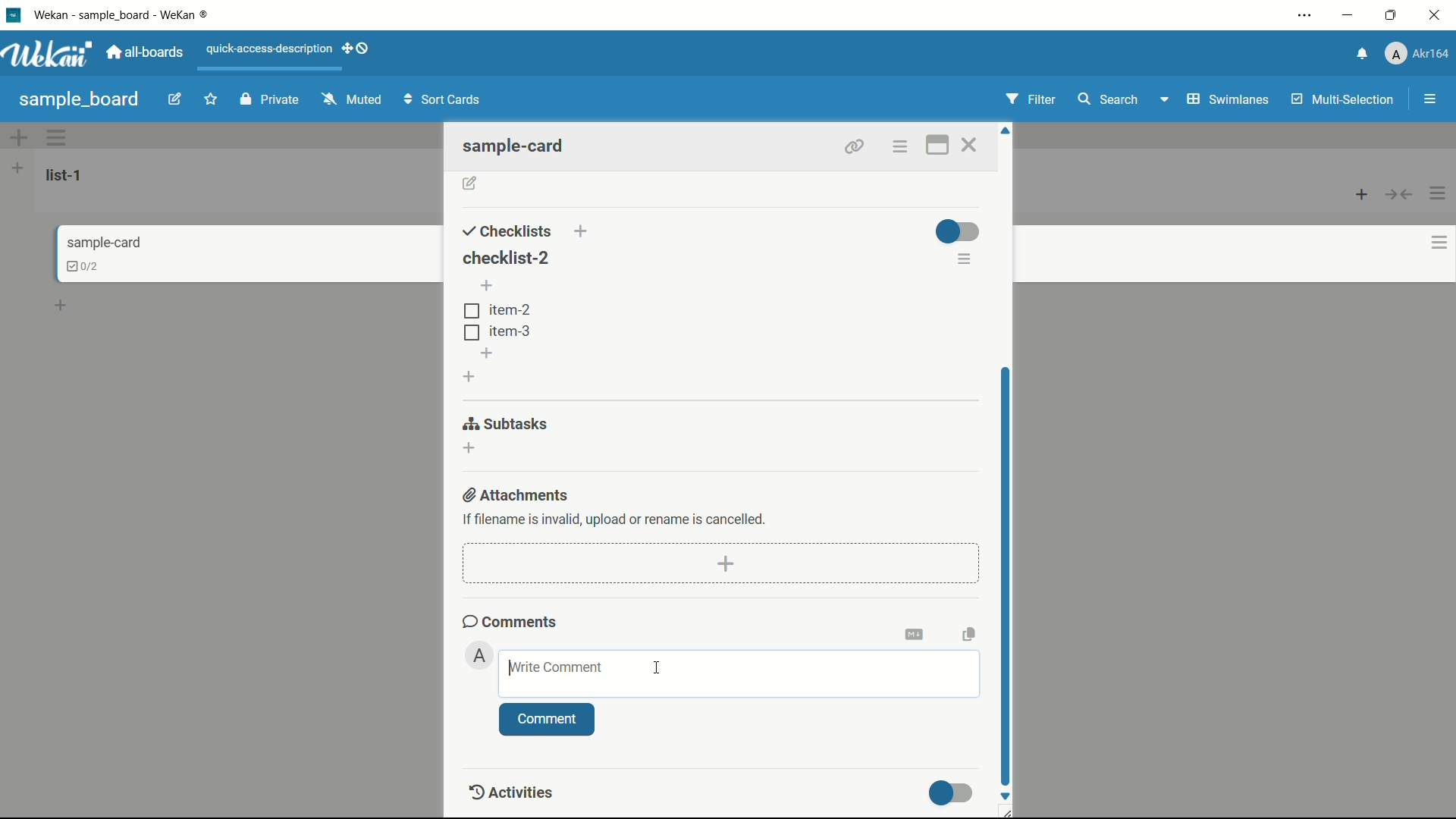 Image resolution: width=1456 pixels, height=819 pixels. I want to click on admin, so click(480, 655).